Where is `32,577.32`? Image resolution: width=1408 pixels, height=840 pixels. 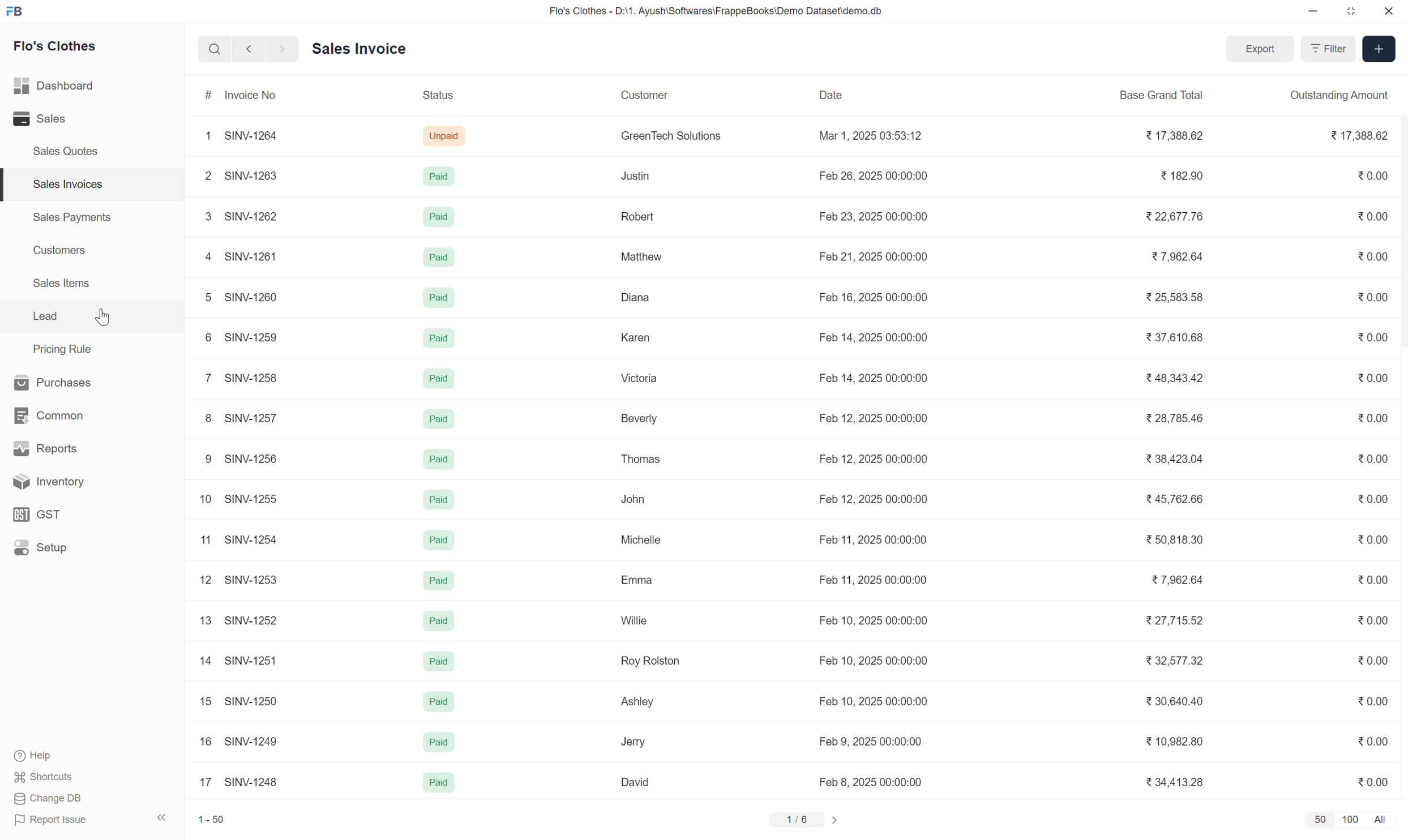
32,577.32 is located at coordinates (871, 660).